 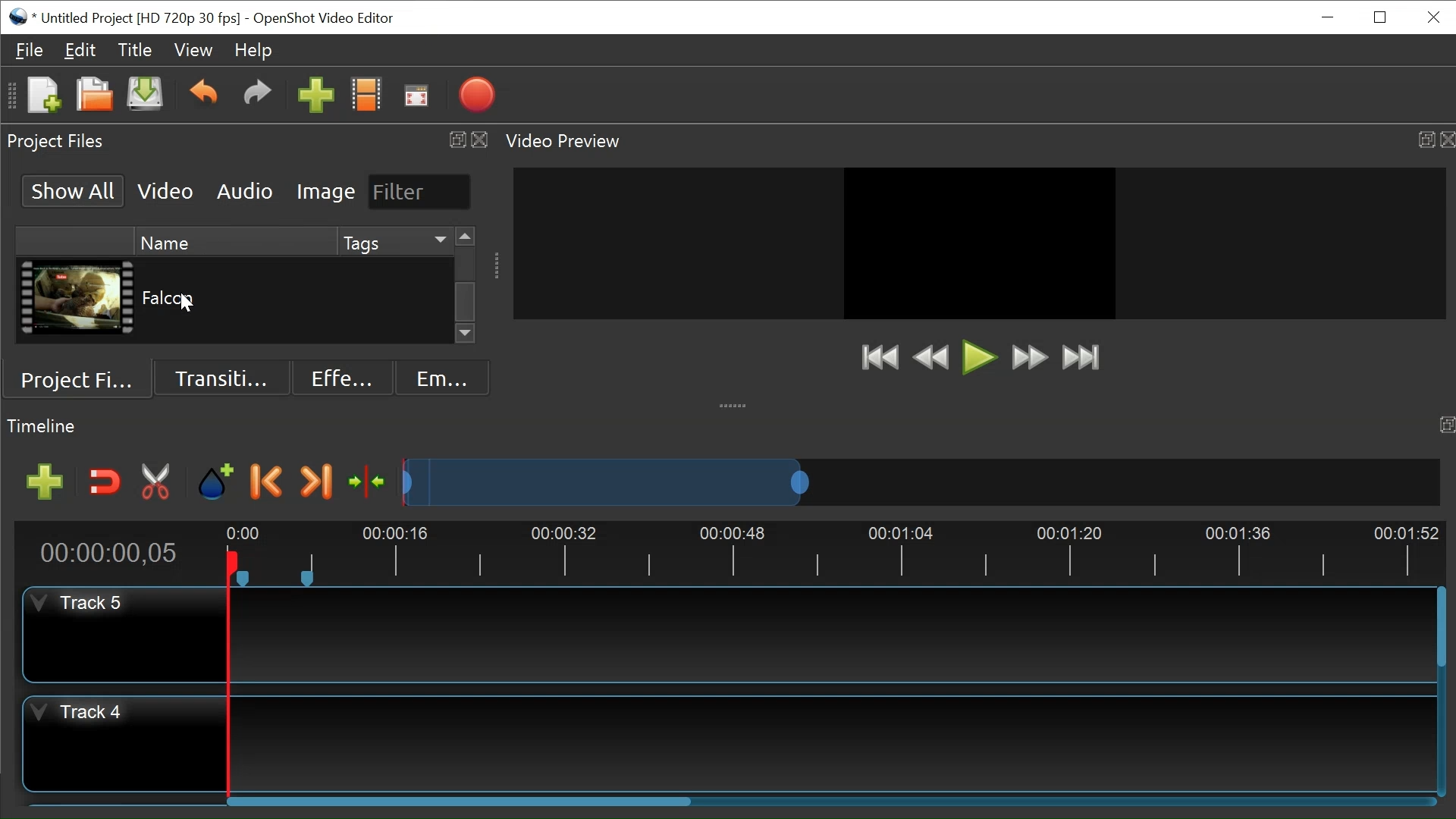 What do you see at coordinates (979, 243) in the screenshot?
I see `Preview Window` at bounding box center [979, 243].